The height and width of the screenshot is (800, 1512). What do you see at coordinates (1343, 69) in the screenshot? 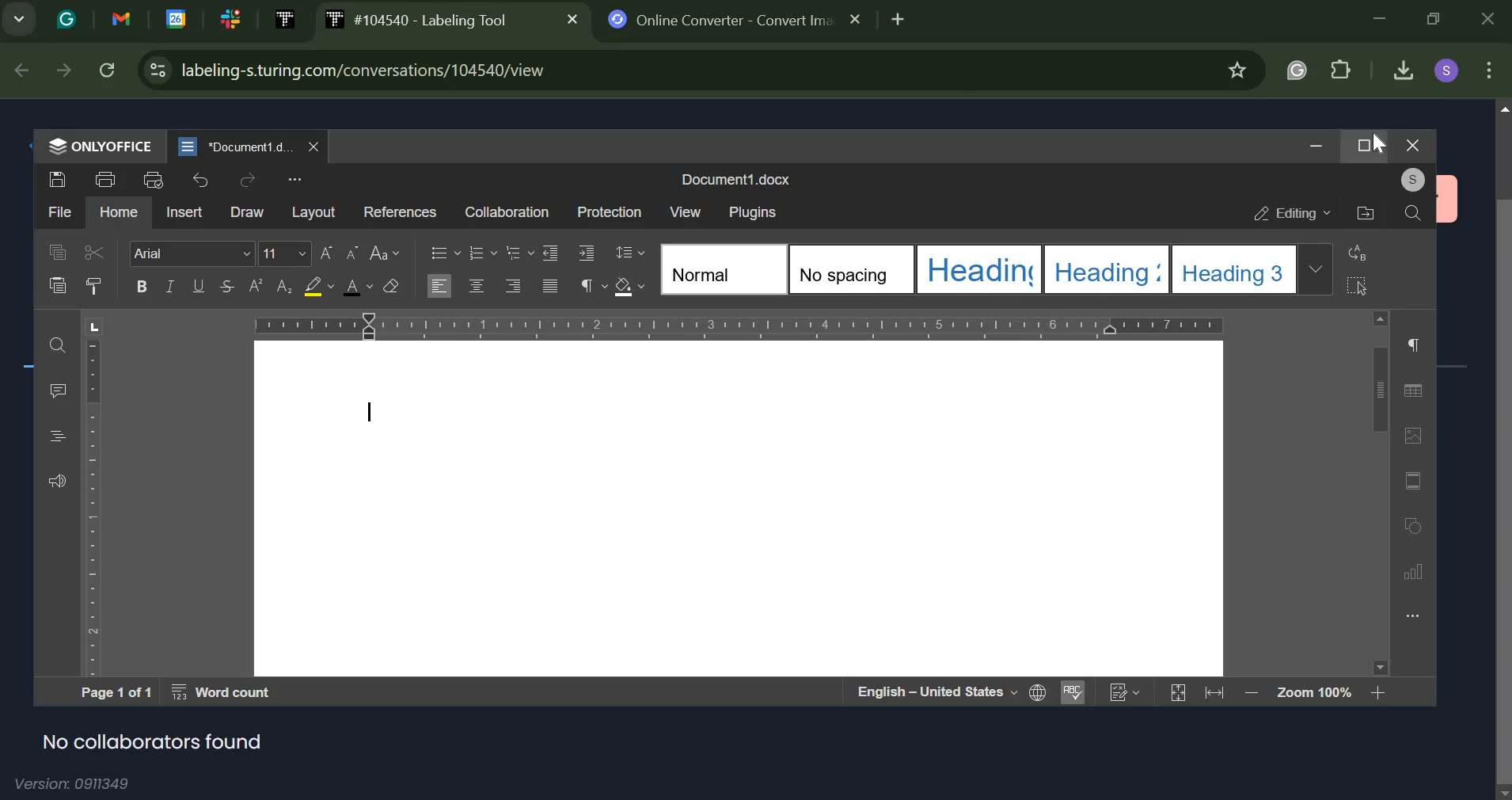
I see `extensions` at bounding box center [1343, 69].